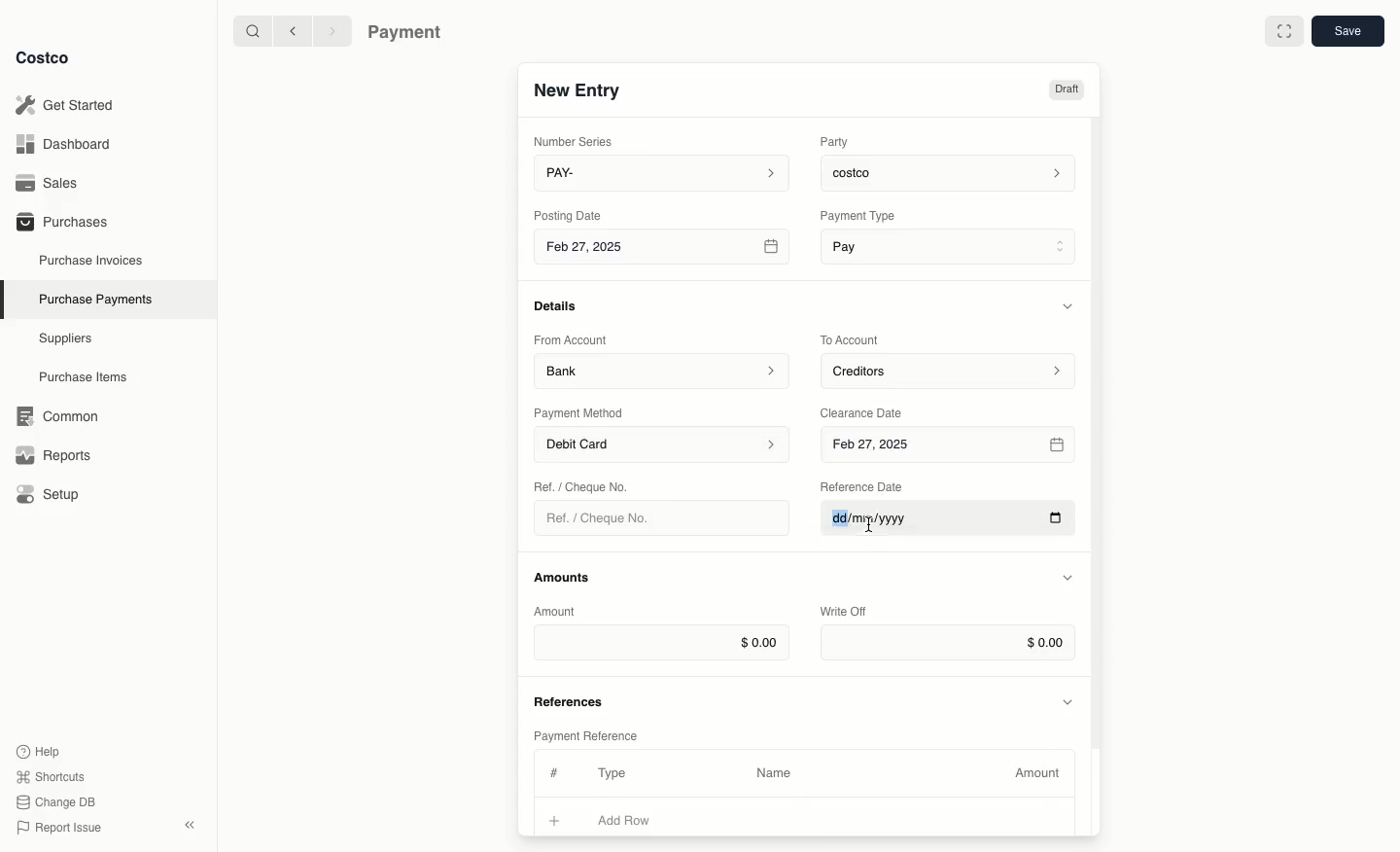 The width and height of the screenshot is (1400, 852). I want to click on Suppliers, so click(66, 337).